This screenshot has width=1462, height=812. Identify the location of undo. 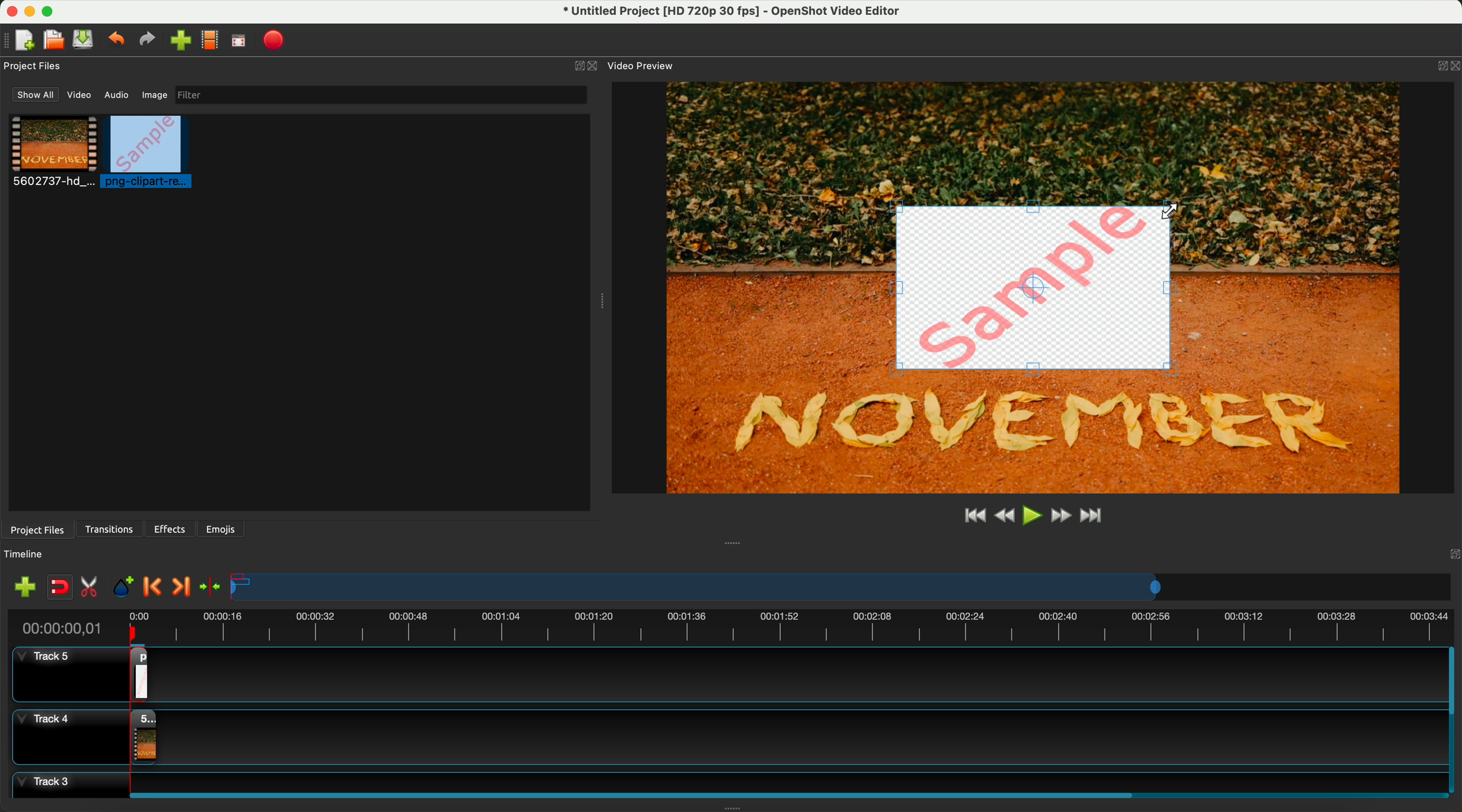
(118, 41).